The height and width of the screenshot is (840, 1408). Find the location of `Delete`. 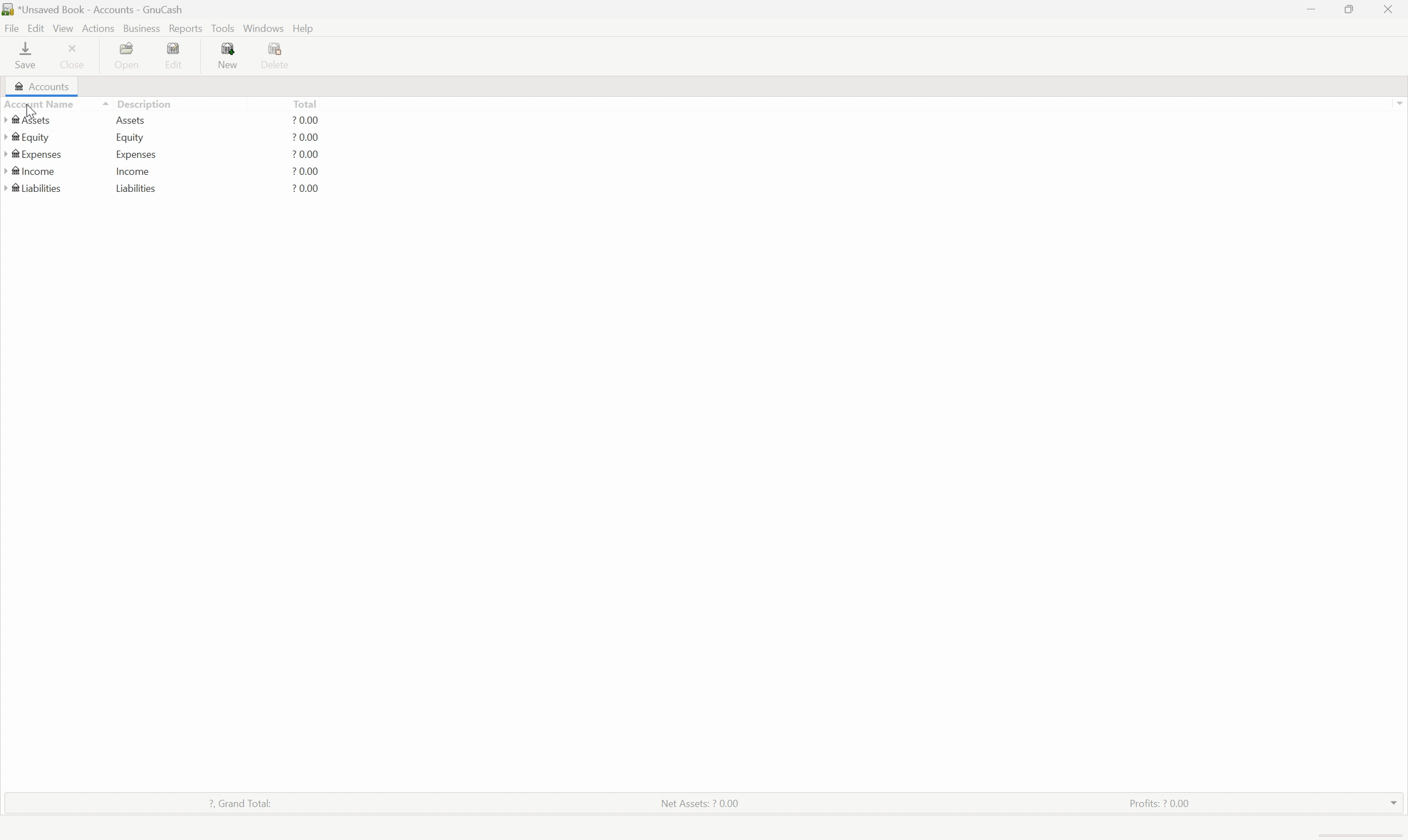

Delete is located at coordinates (278, 57).